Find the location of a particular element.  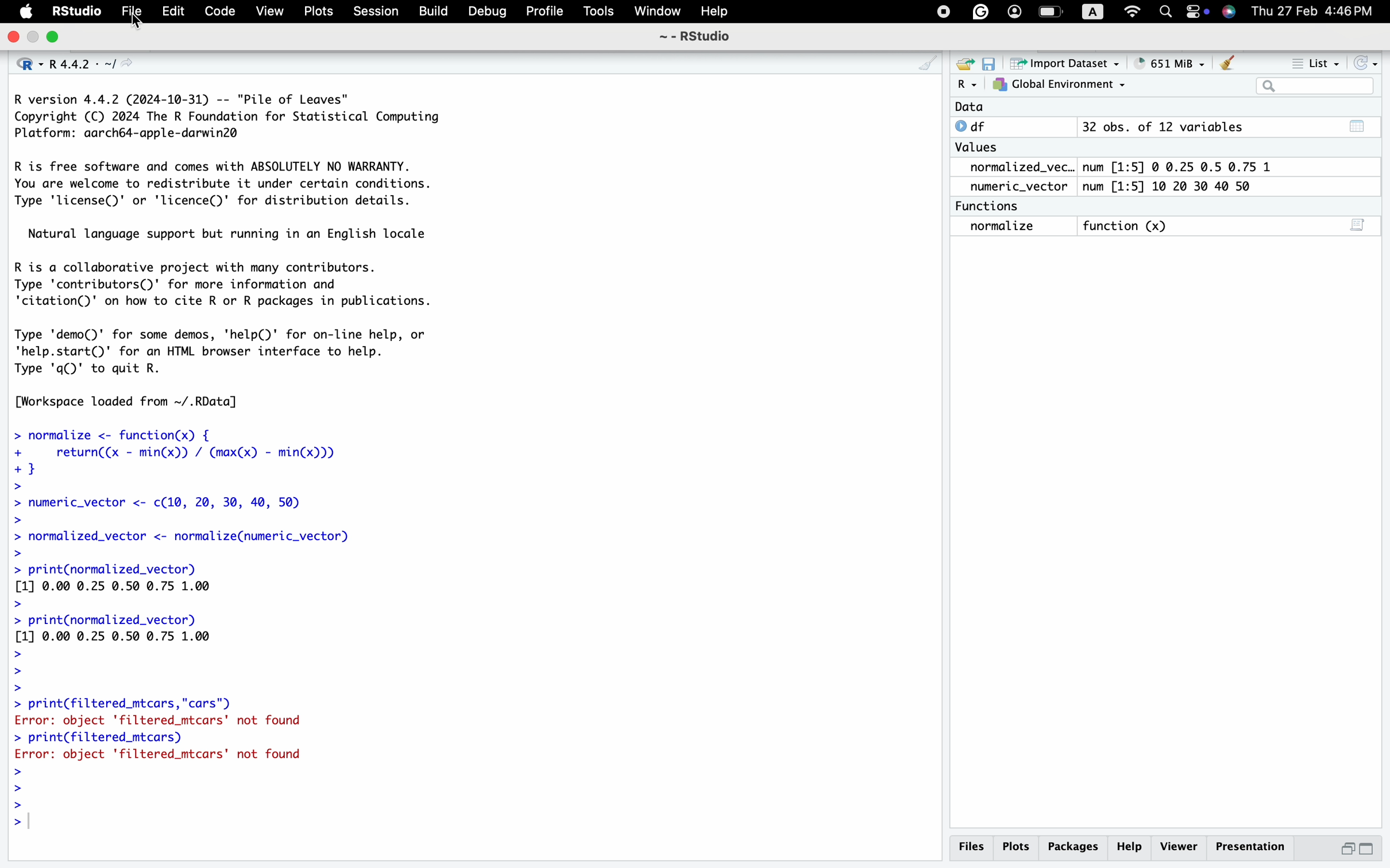

® 651 MiB  is located at coordinates (1167, 61).